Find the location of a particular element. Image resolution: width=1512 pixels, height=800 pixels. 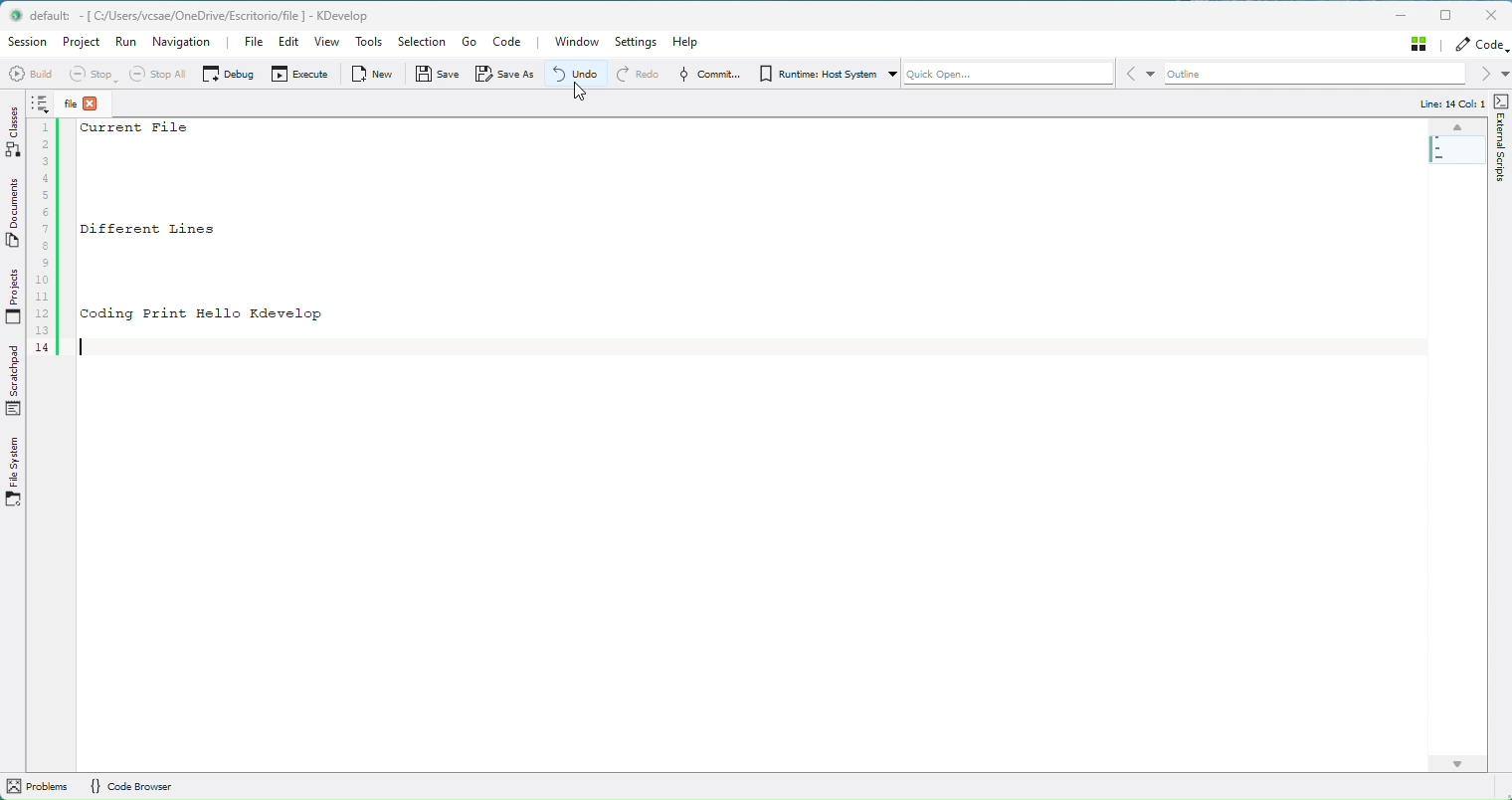

RunTime is located at coordinates (820, 76).